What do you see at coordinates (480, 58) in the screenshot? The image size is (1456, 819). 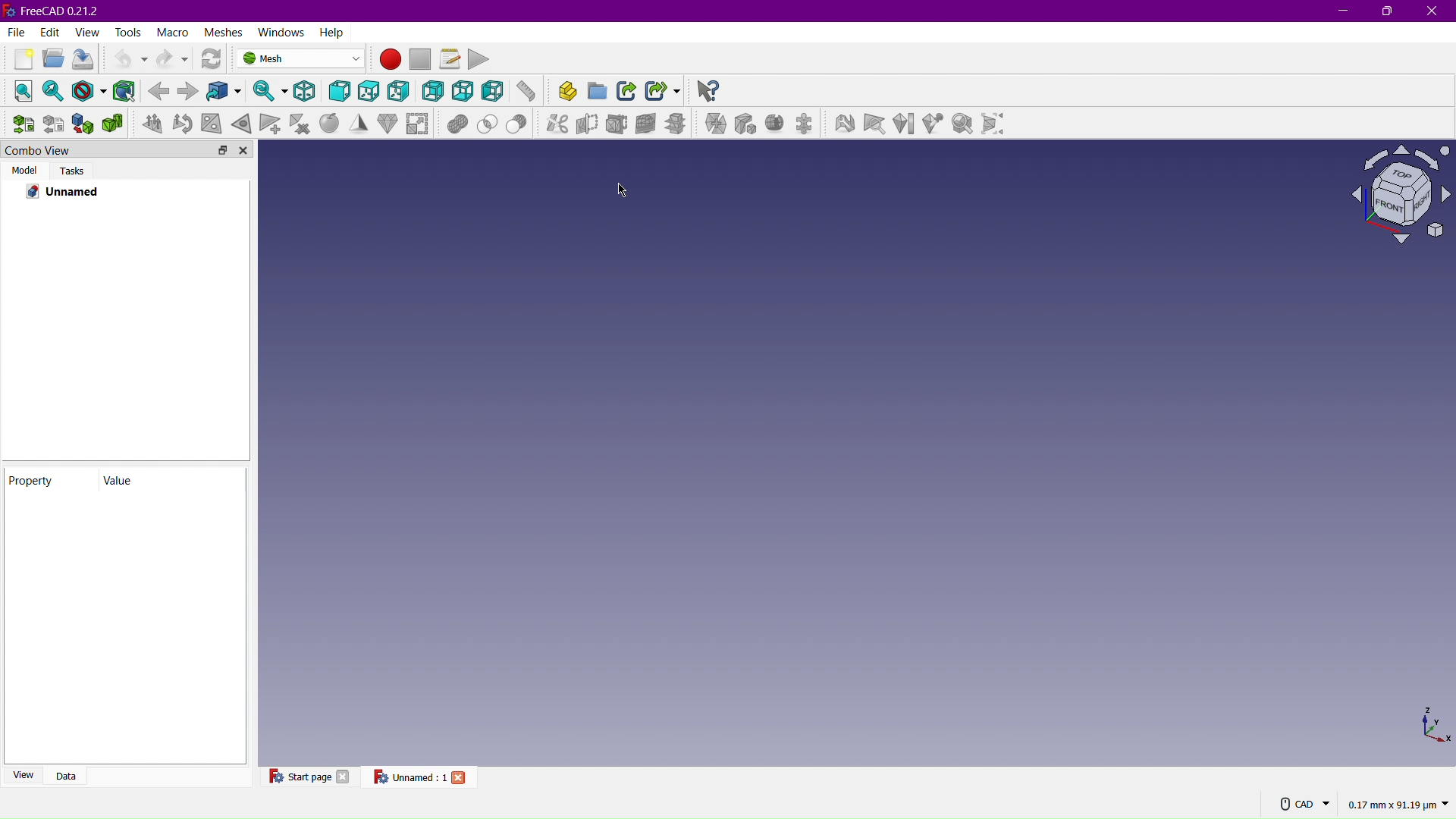 I see `Execute Macro` at bounding box center [480, 58].